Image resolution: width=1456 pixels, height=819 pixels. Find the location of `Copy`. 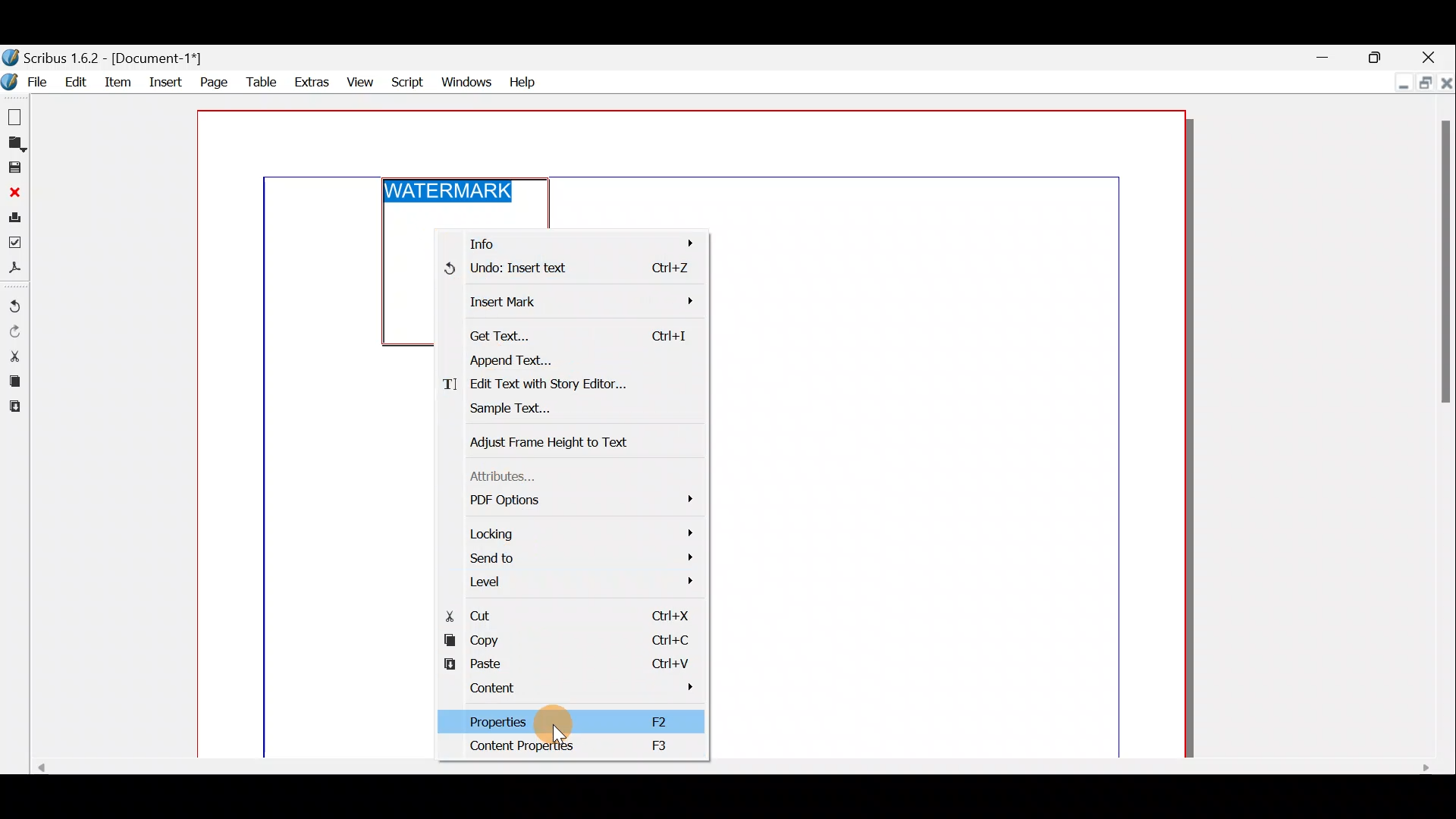

Copy is located at coordinates (567, 639).